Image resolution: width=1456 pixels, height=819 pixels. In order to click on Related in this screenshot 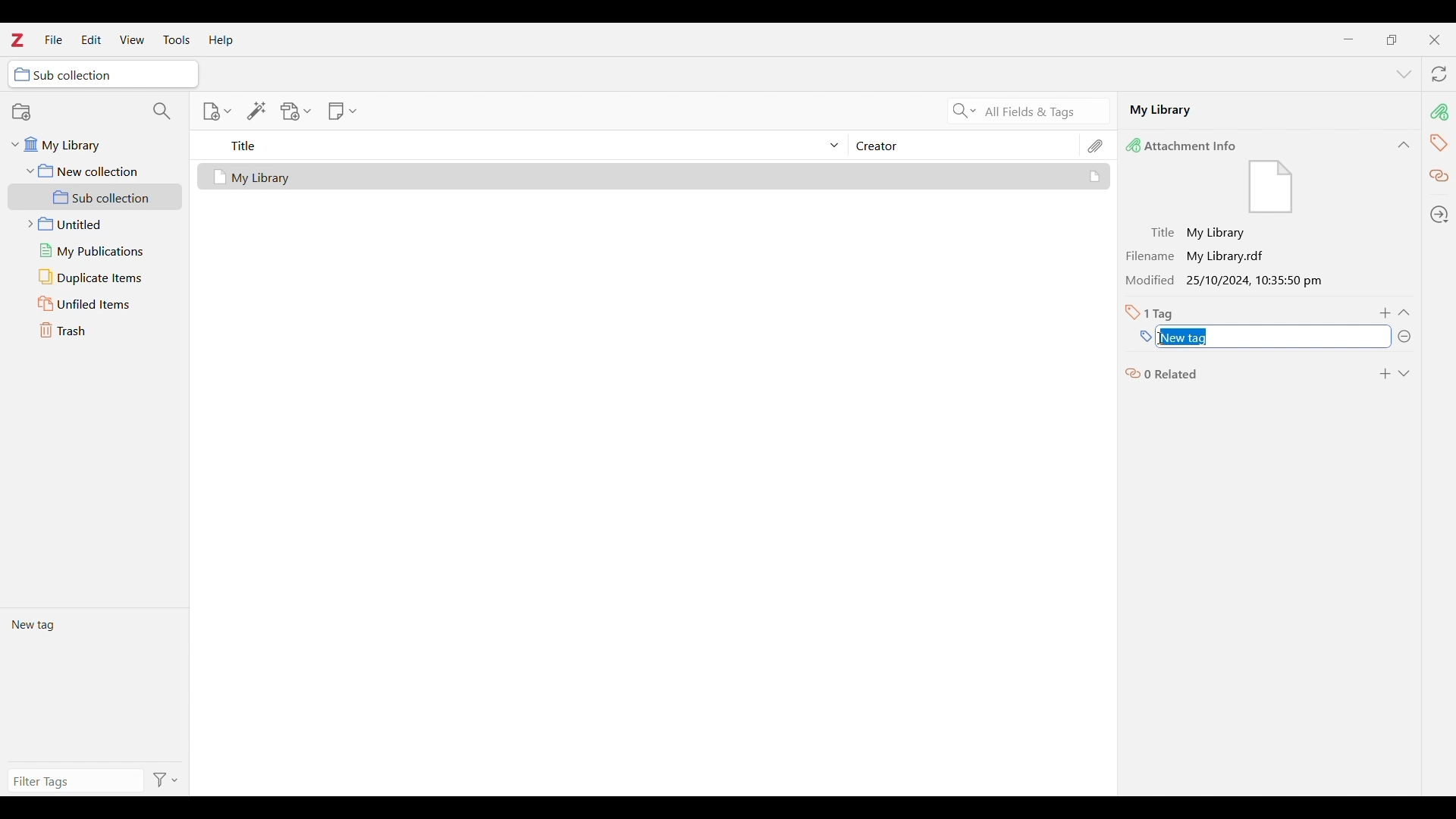, I will do `click(1440, 177)`.